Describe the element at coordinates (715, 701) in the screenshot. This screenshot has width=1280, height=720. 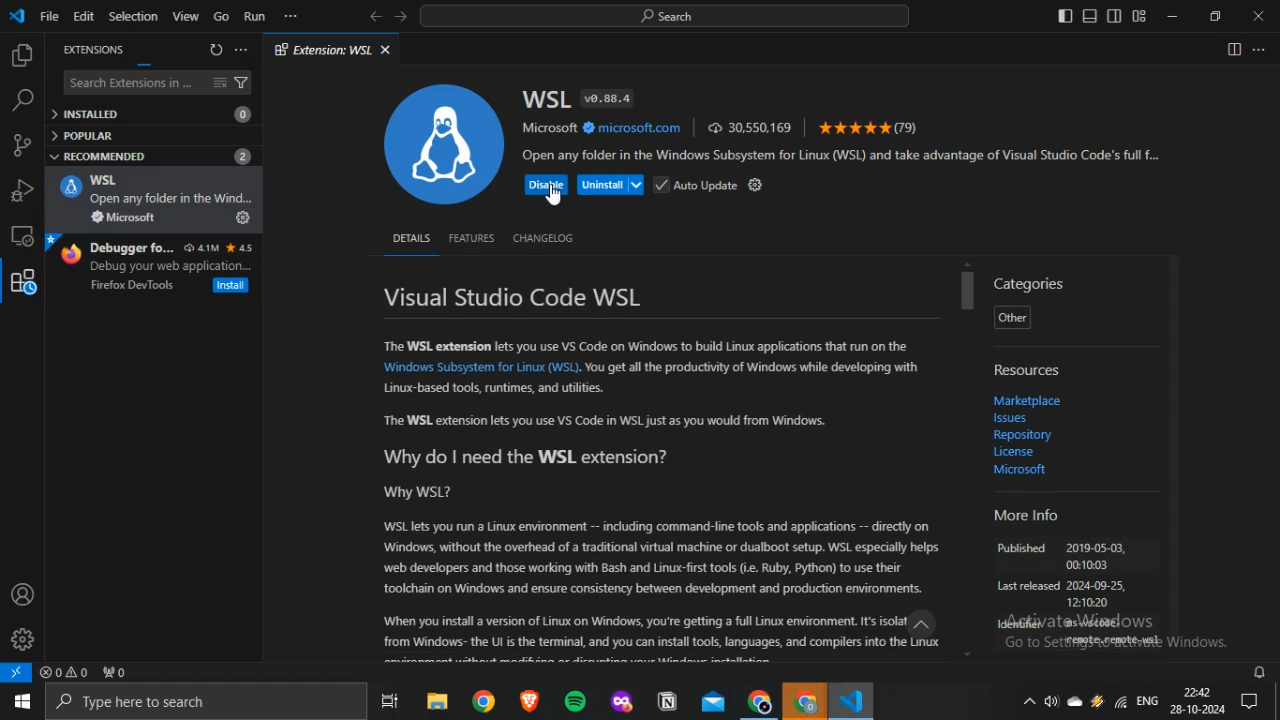
I see `outlook` at that location.